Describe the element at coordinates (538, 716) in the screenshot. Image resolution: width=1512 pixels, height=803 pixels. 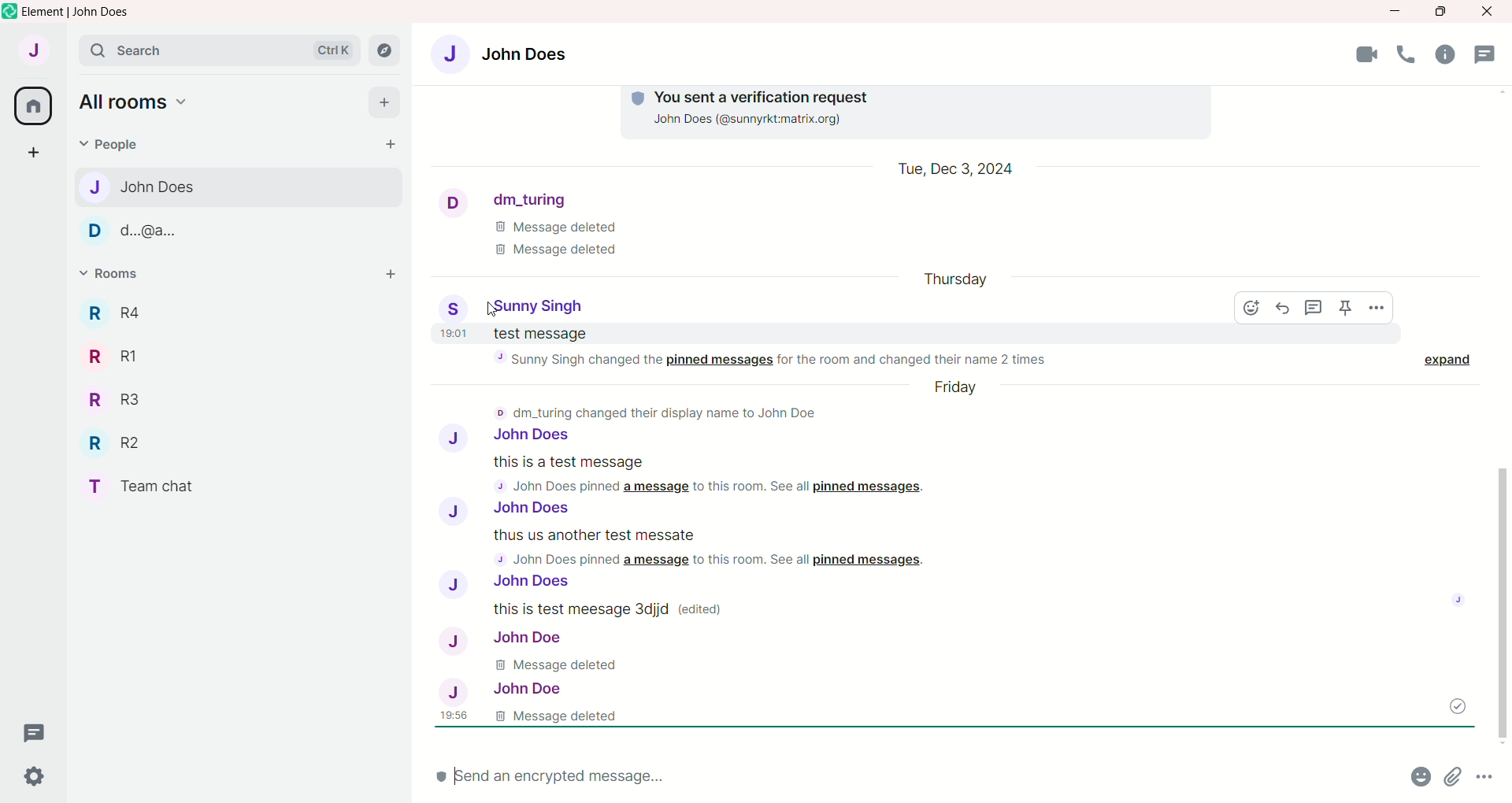
I see `message deleted` at that location.